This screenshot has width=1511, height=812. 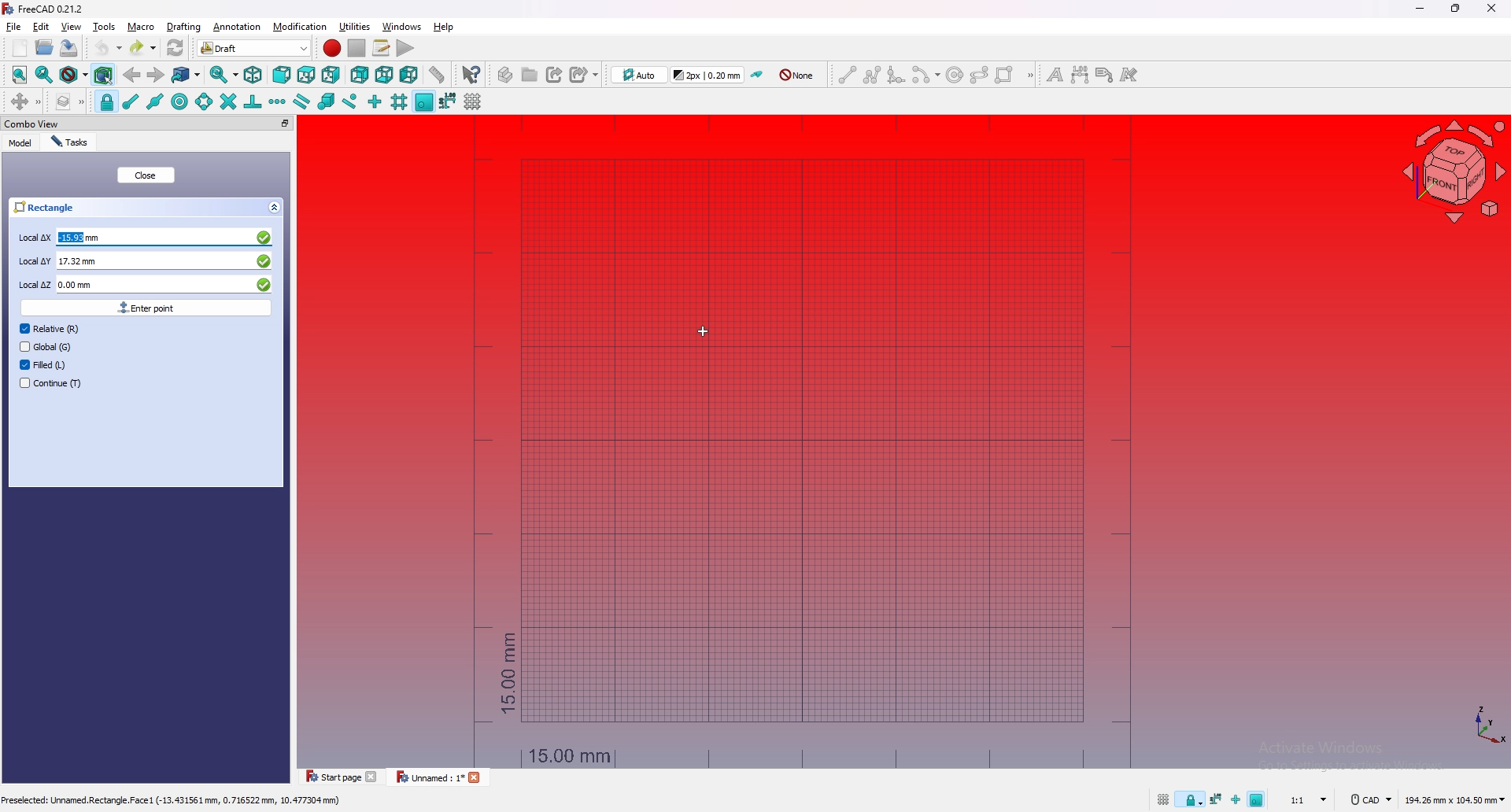 I want to click on drafting, so click(x=185, y=27).